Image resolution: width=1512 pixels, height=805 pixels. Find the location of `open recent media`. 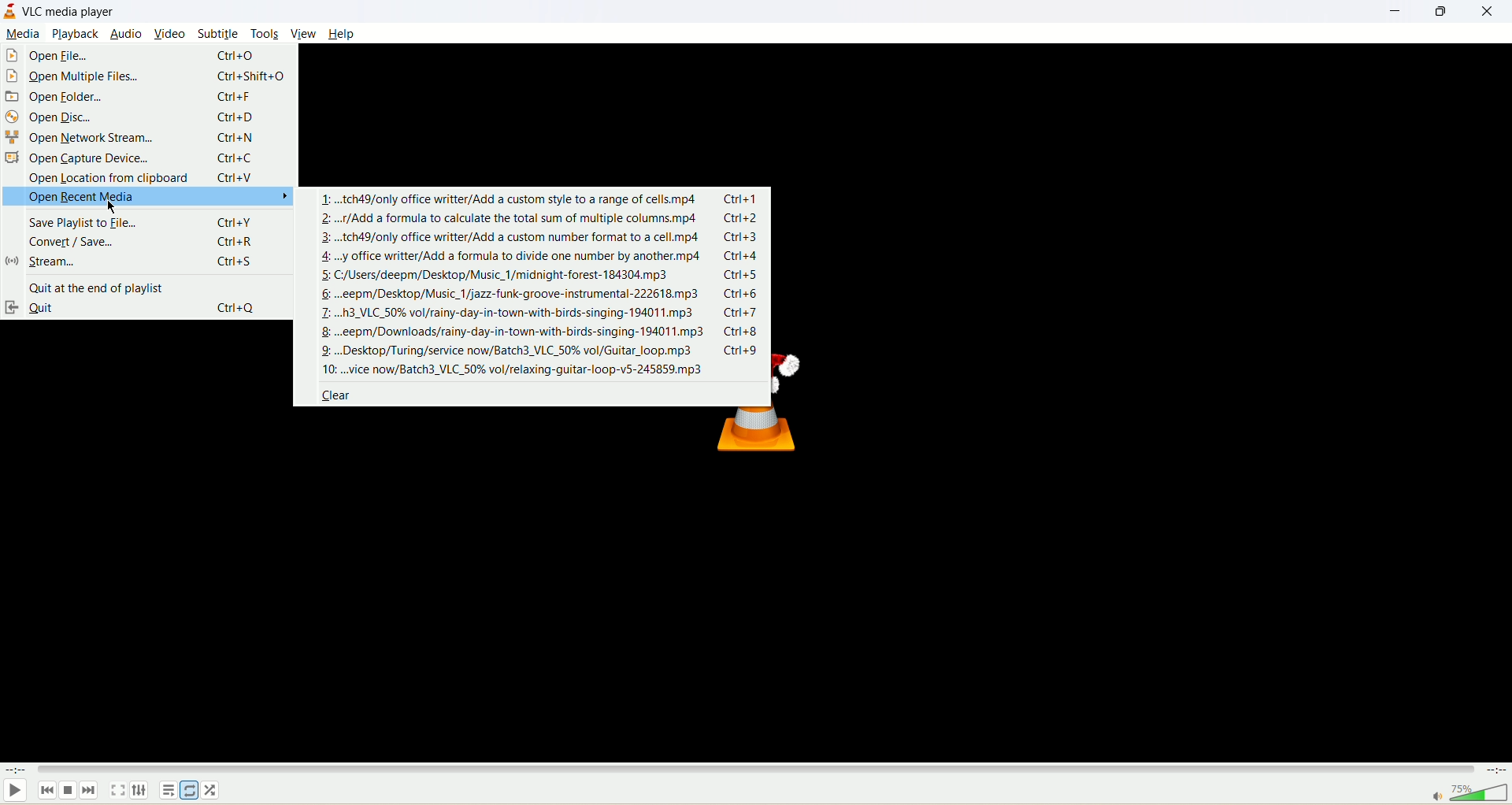

open recent media is located at coordinates (151, 198).